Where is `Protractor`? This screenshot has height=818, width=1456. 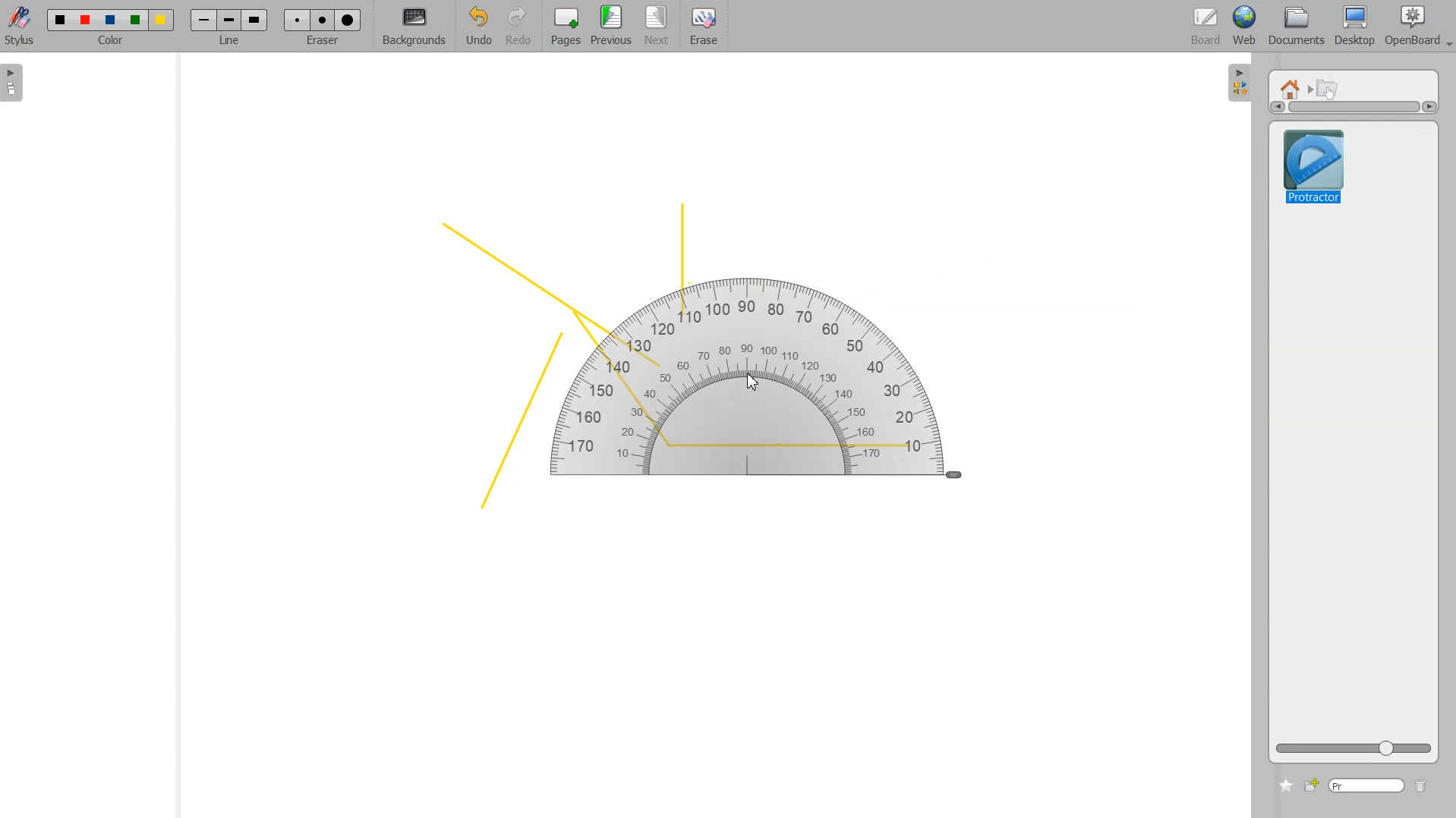 Protractor is located at coordinates (1316, 170).